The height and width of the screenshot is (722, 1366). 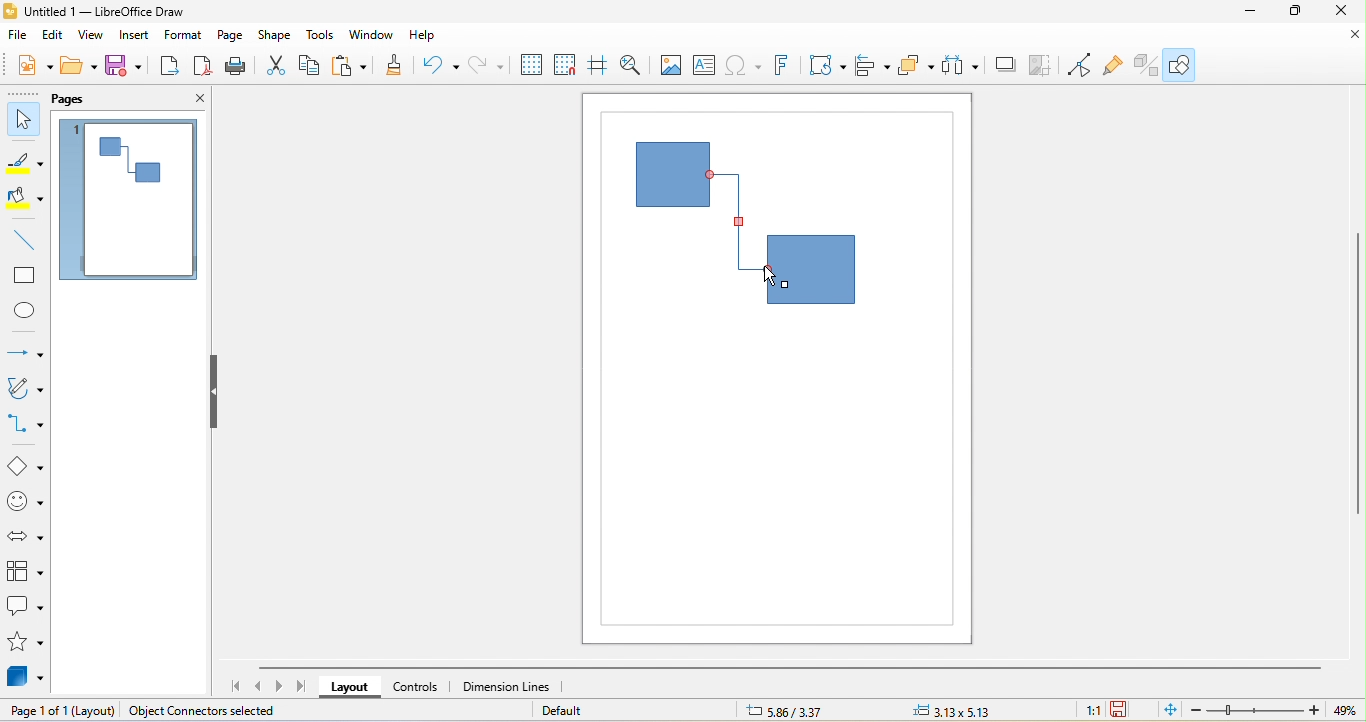 I want to click on scroll to first page, so click(x=231, y=687).